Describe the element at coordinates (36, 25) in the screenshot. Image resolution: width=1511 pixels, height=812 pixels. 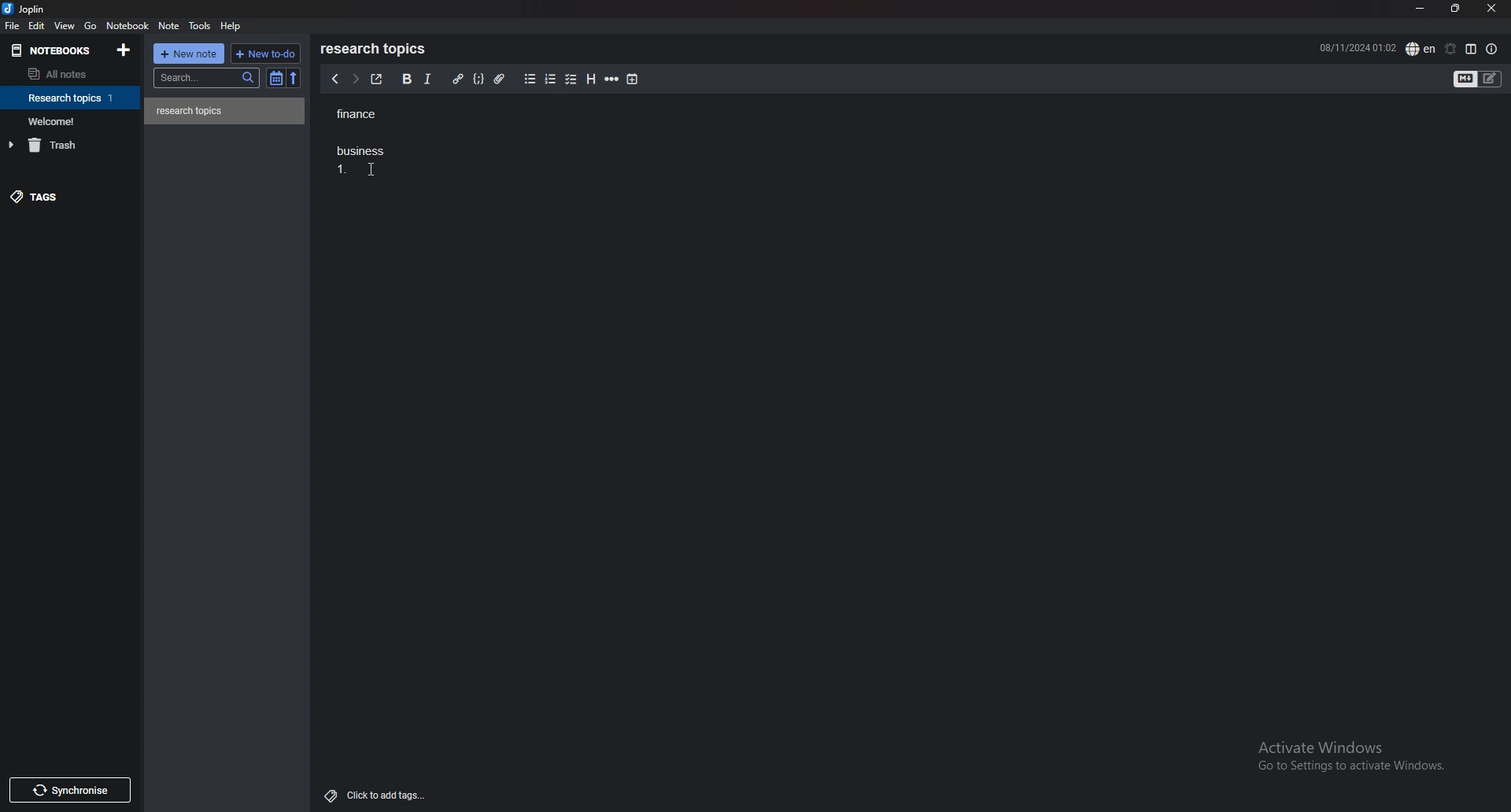
I see `edit` at that location.